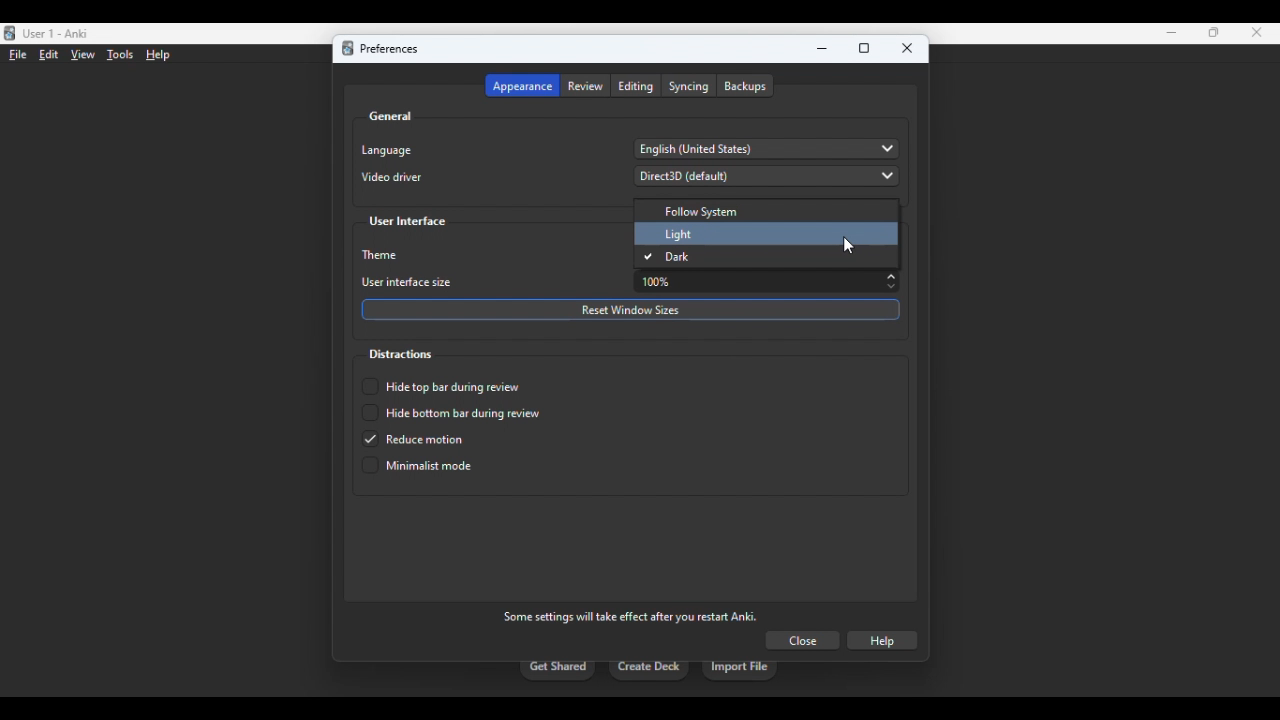  What do you see at coordinates (763, 208) in the screenshot?
I see `Follow System` at bounding box center [763, 208].